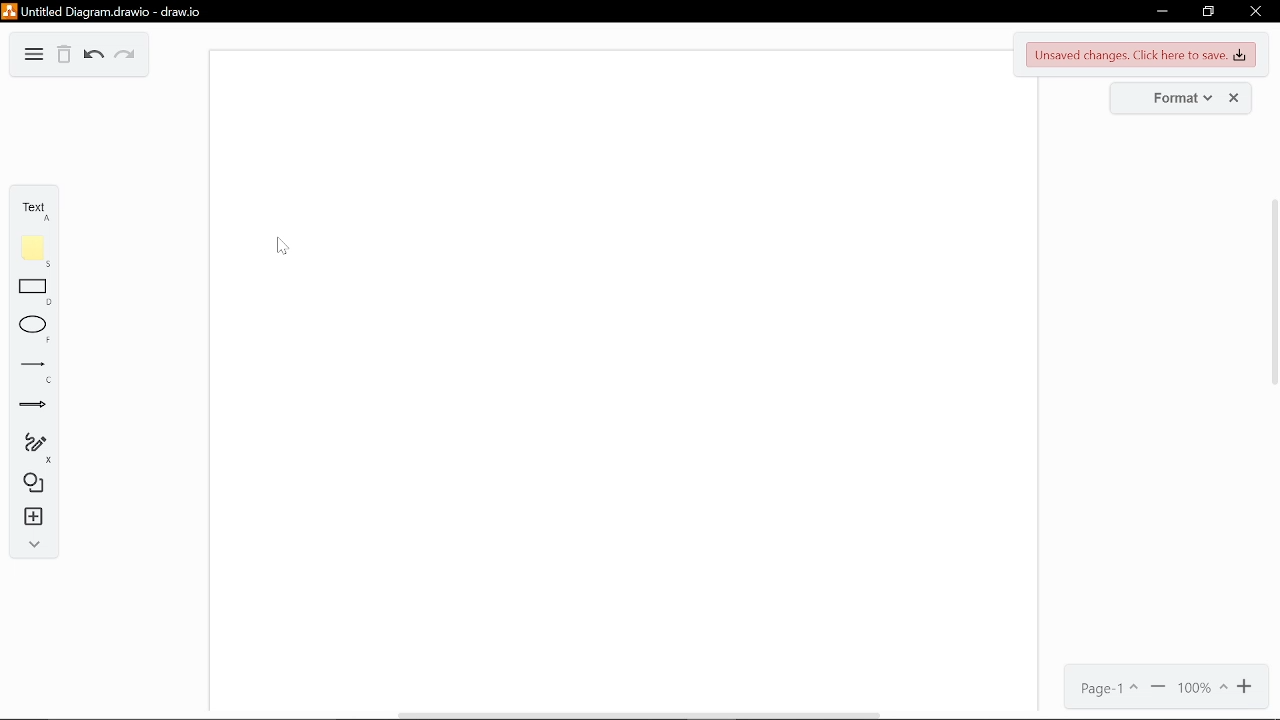  Describe the element at coordinates (1272, 291) in the screenshot. I see `vertical scrollbar` at that location.